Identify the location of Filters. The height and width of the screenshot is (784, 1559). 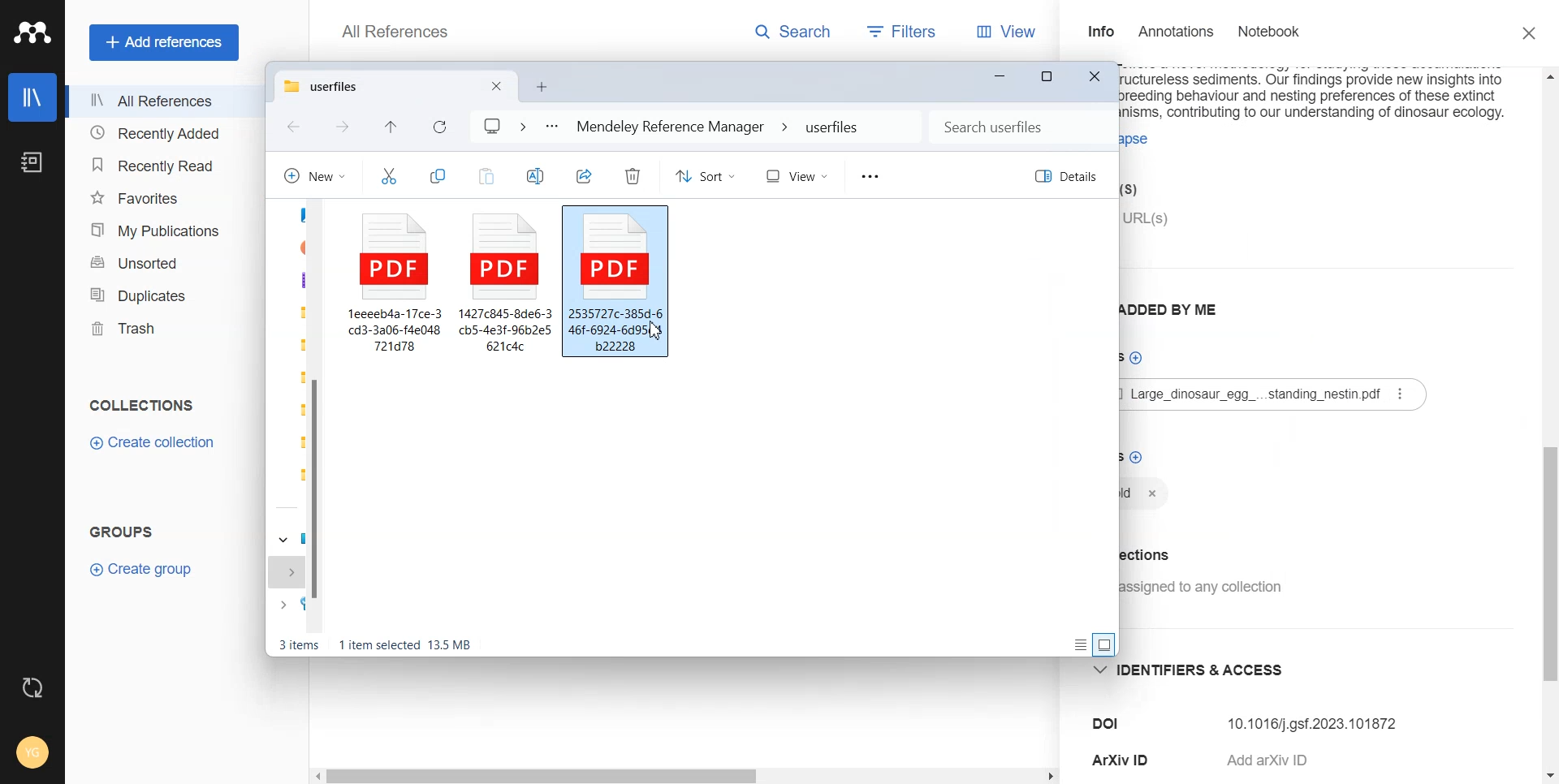
(909, 31).